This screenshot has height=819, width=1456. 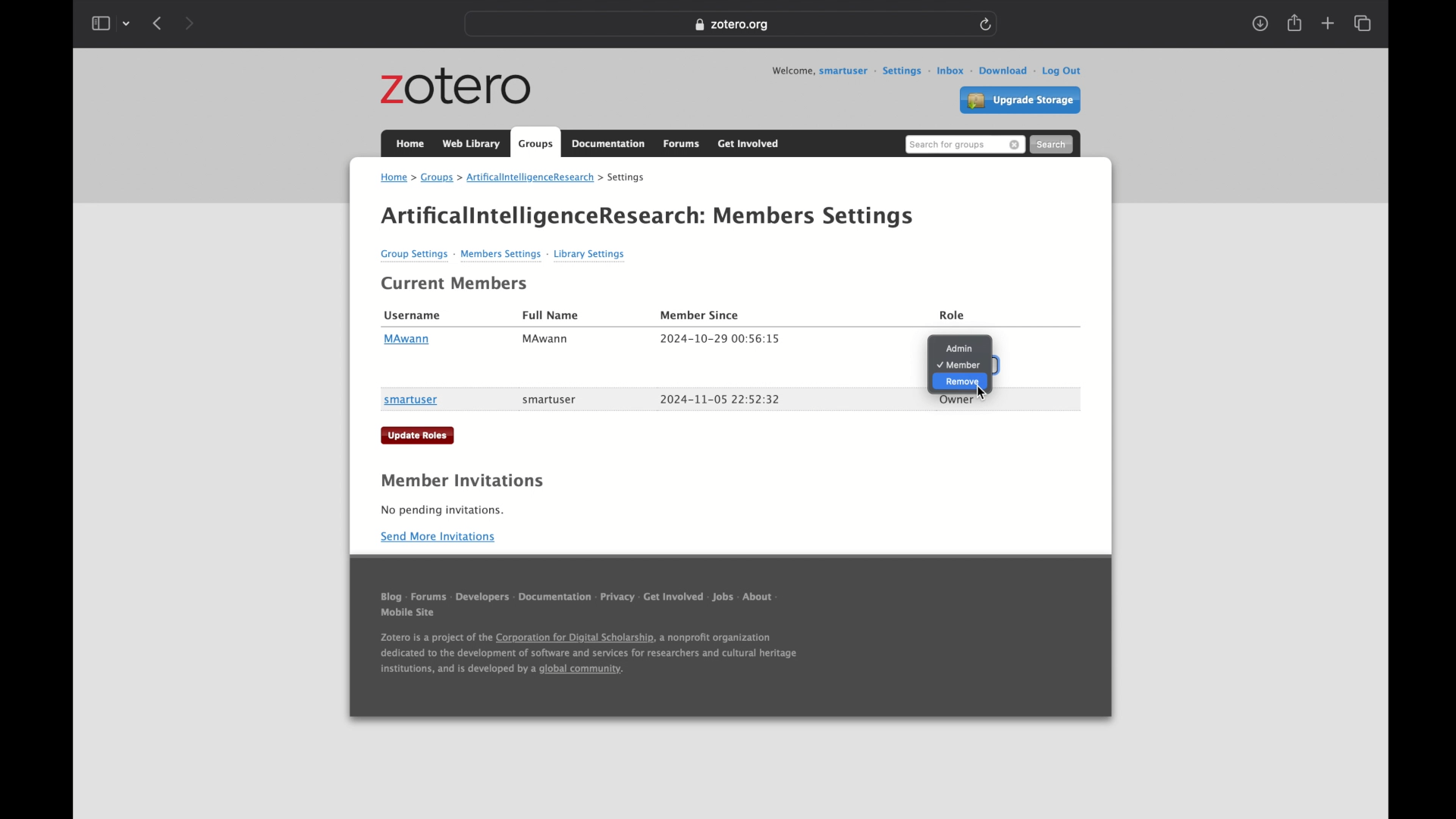 What do you see at coordinates (720, 399) in the screenshot?
I see `member since date` at bounding box center [720, 399].